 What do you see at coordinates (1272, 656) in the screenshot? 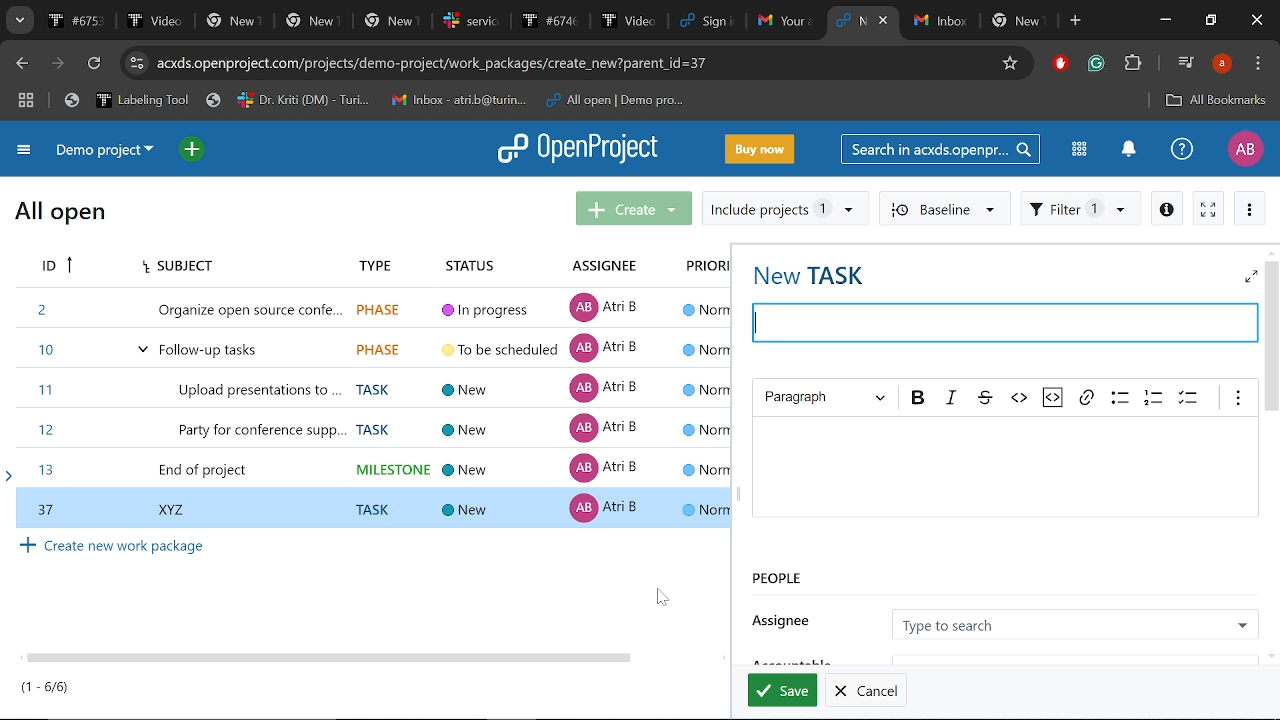
I see `Move down` at bounding box center [1272, 656].